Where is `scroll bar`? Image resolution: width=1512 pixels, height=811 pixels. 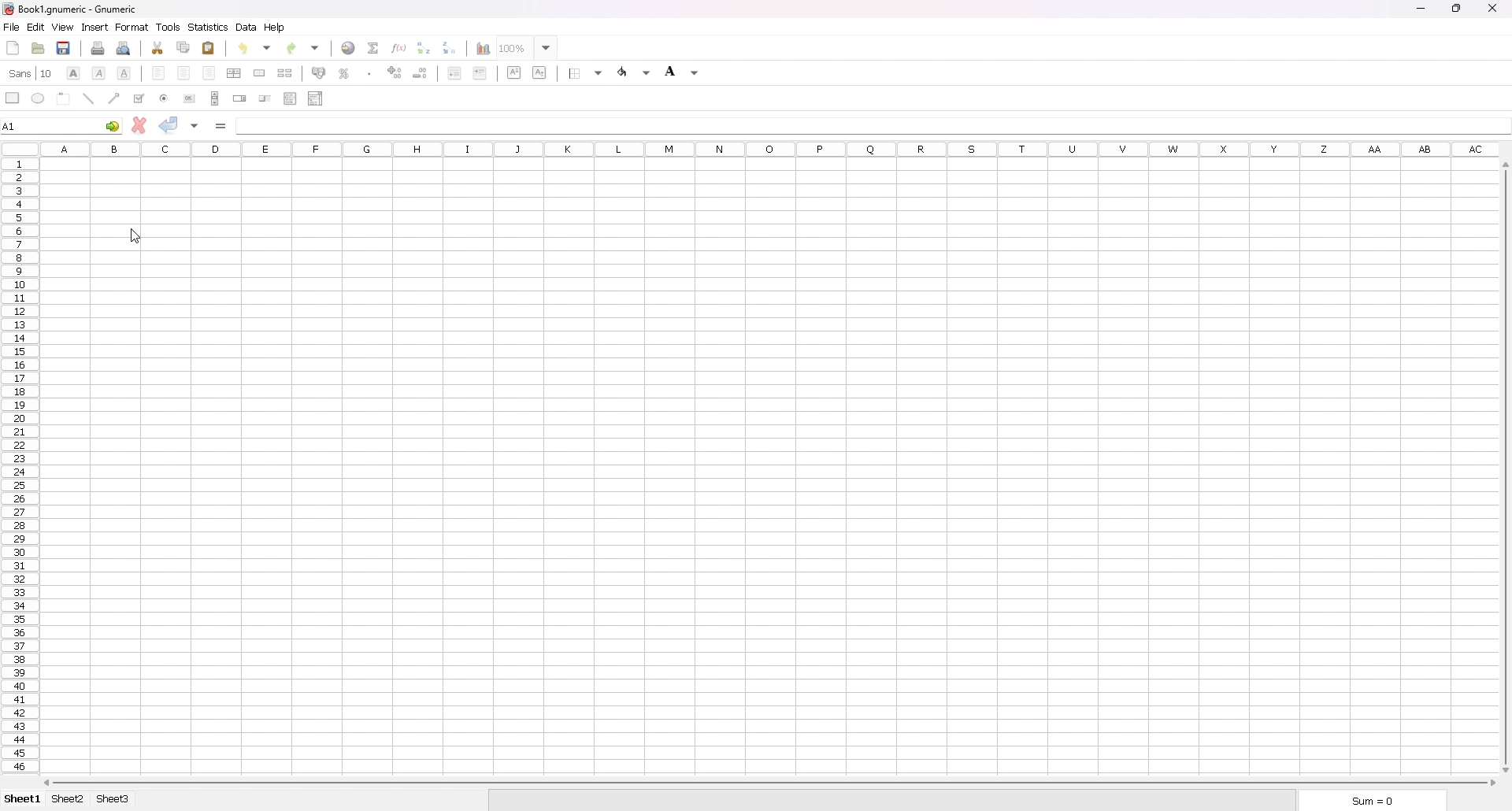 scroll bar is located at coordinates (770, 783).